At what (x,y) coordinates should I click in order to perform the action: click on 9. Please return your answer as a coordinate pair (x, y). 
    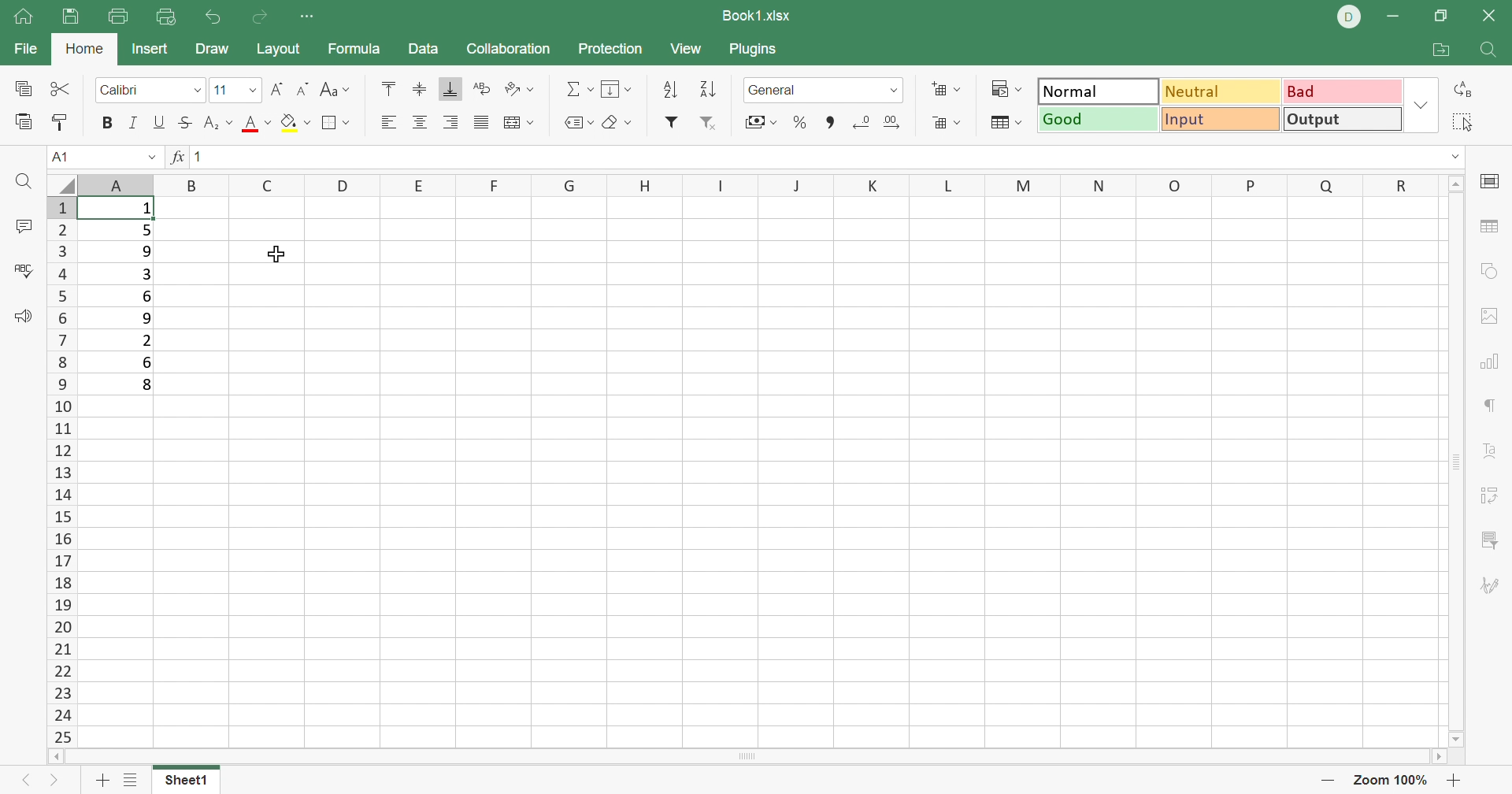
    Looking at the image, I should click on (150, 251).